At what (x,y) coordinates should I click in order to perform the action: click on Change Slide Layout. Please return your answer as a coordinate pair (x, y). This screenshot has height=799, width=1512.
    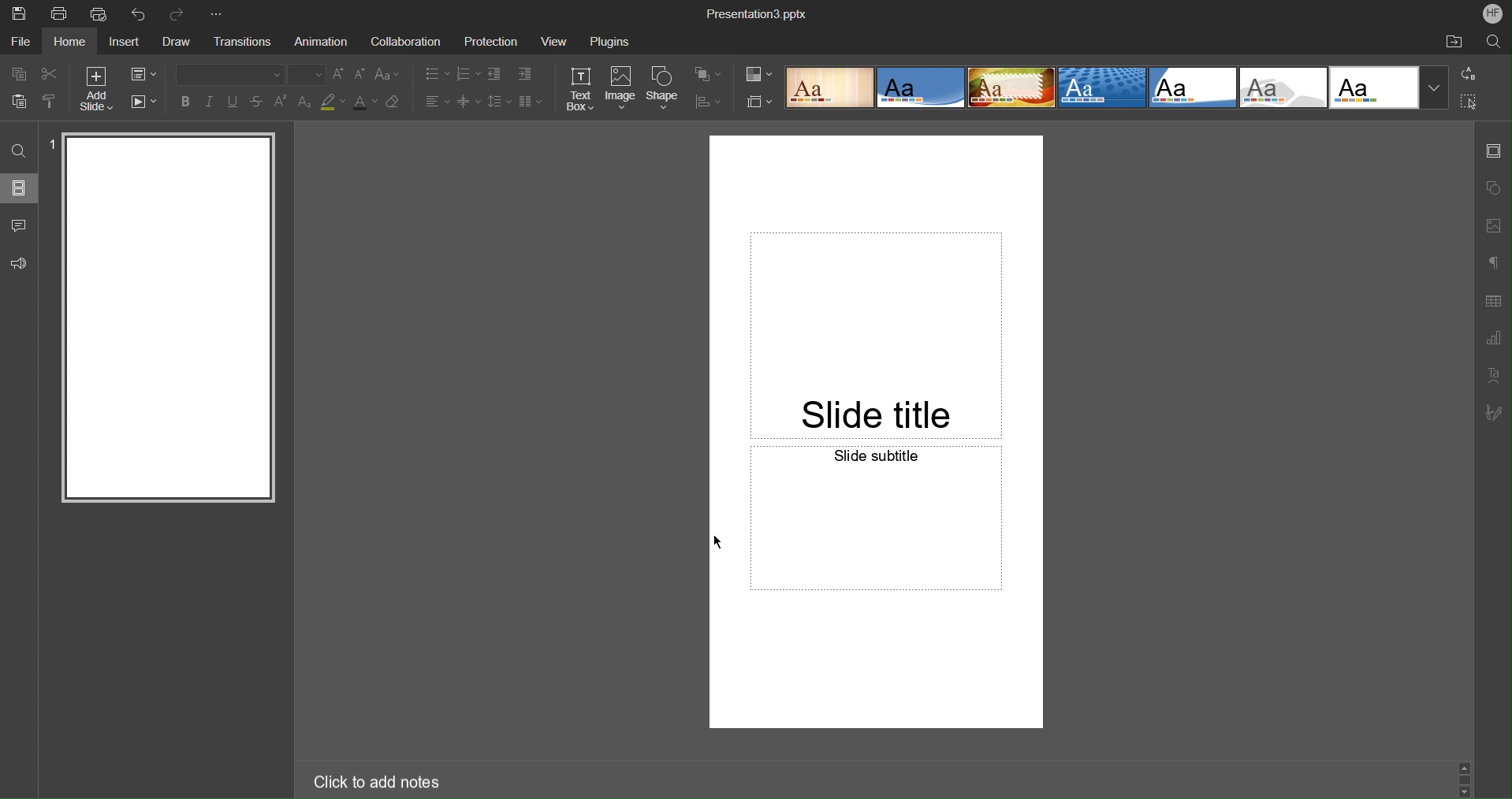
    Looking at the image, I should click on (145, 74).